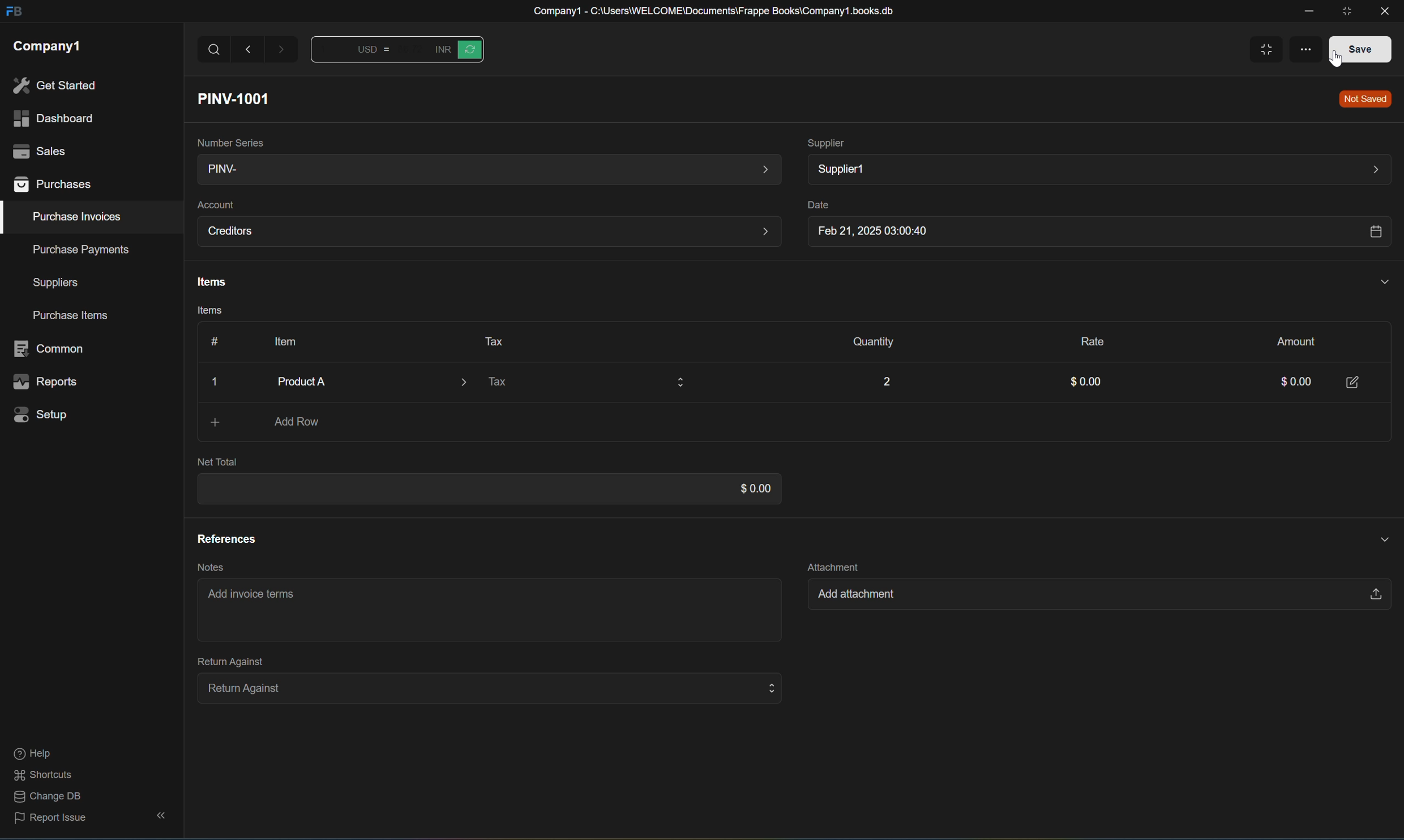 The height and width of the screenshot is (840, 1404). I want to click on change DB, so click(44, 798).